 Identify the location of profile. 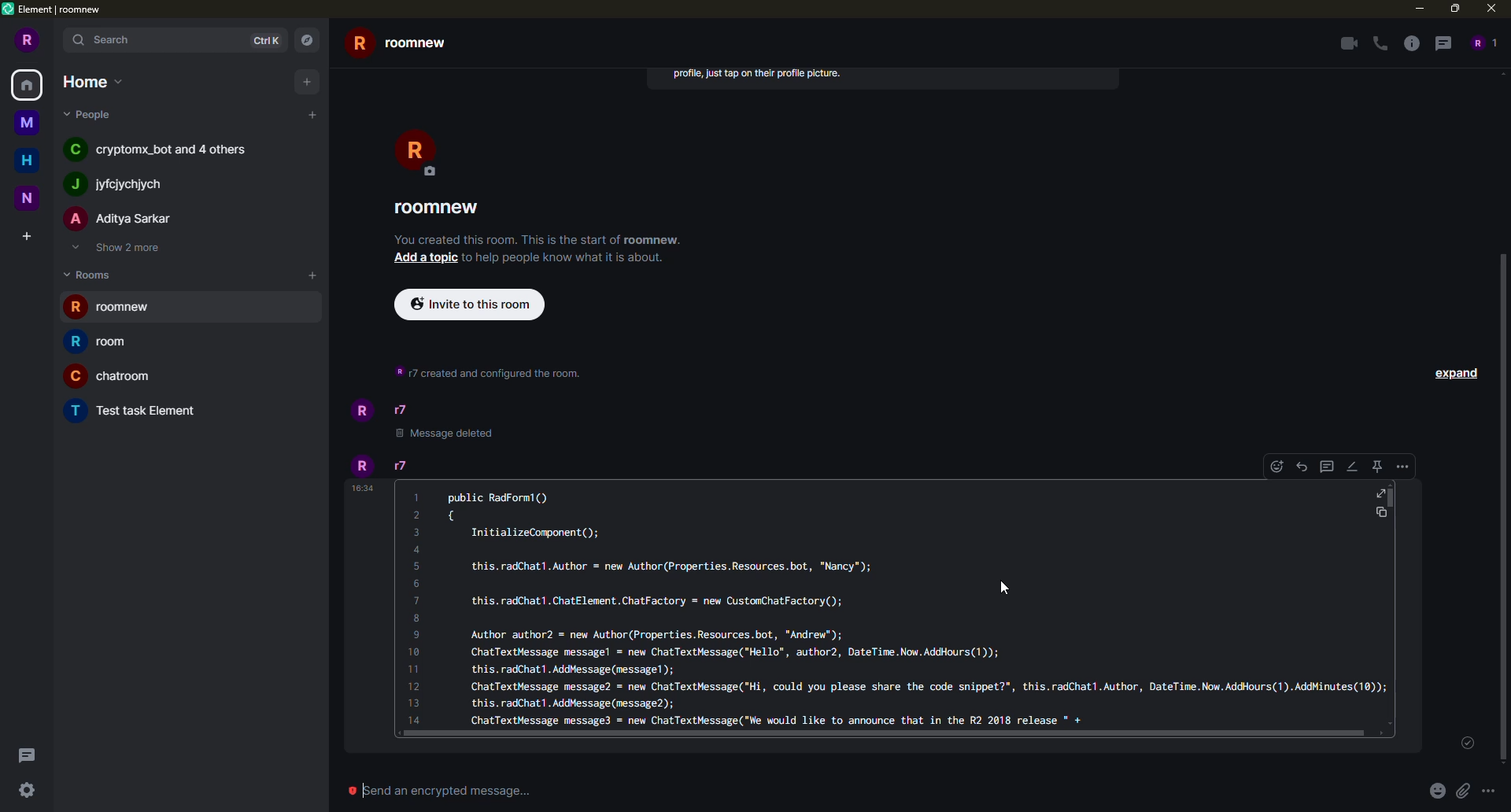
(423, 153).